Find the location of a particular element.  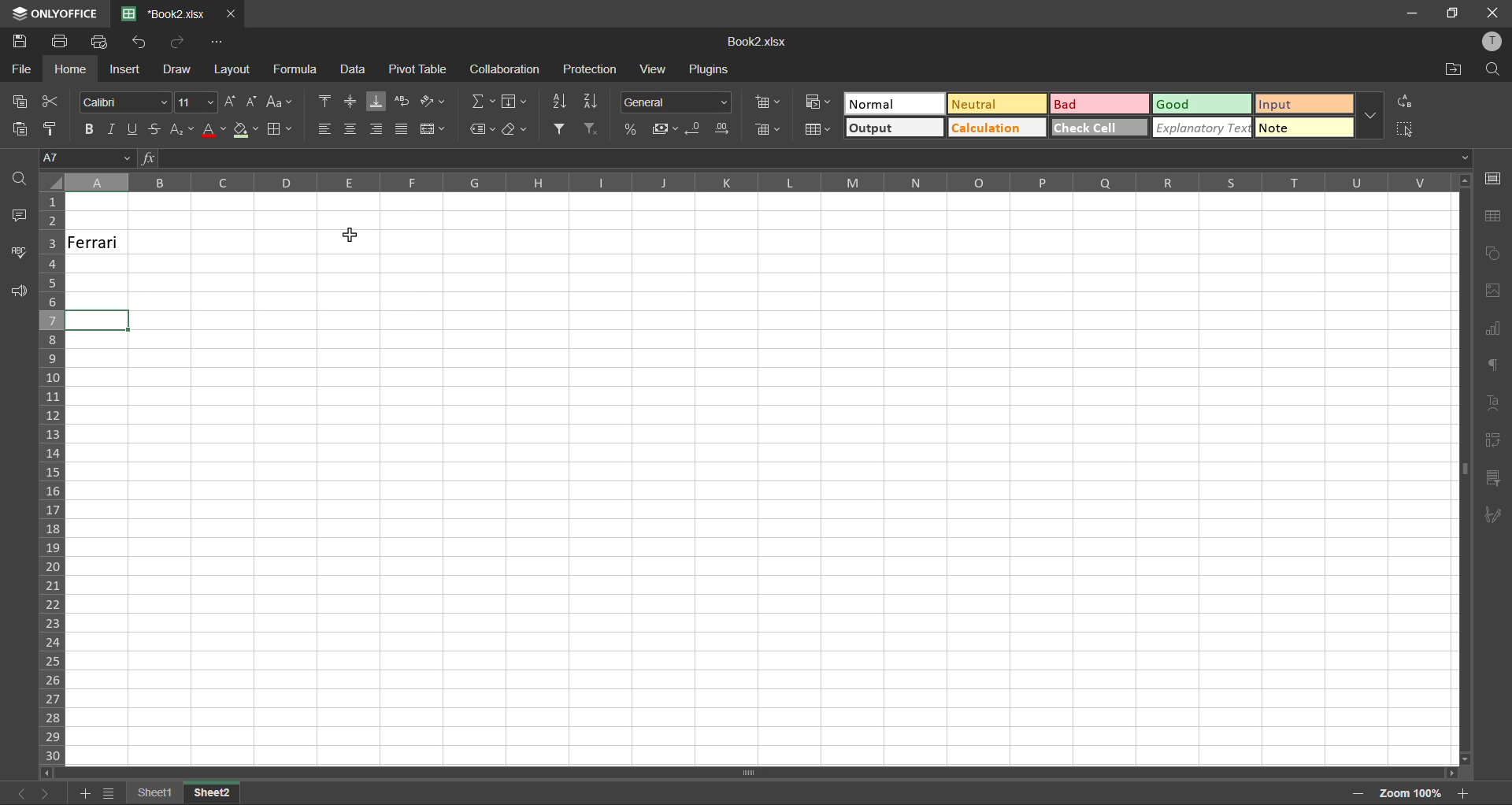

bold is located at coordinates (91, 126).